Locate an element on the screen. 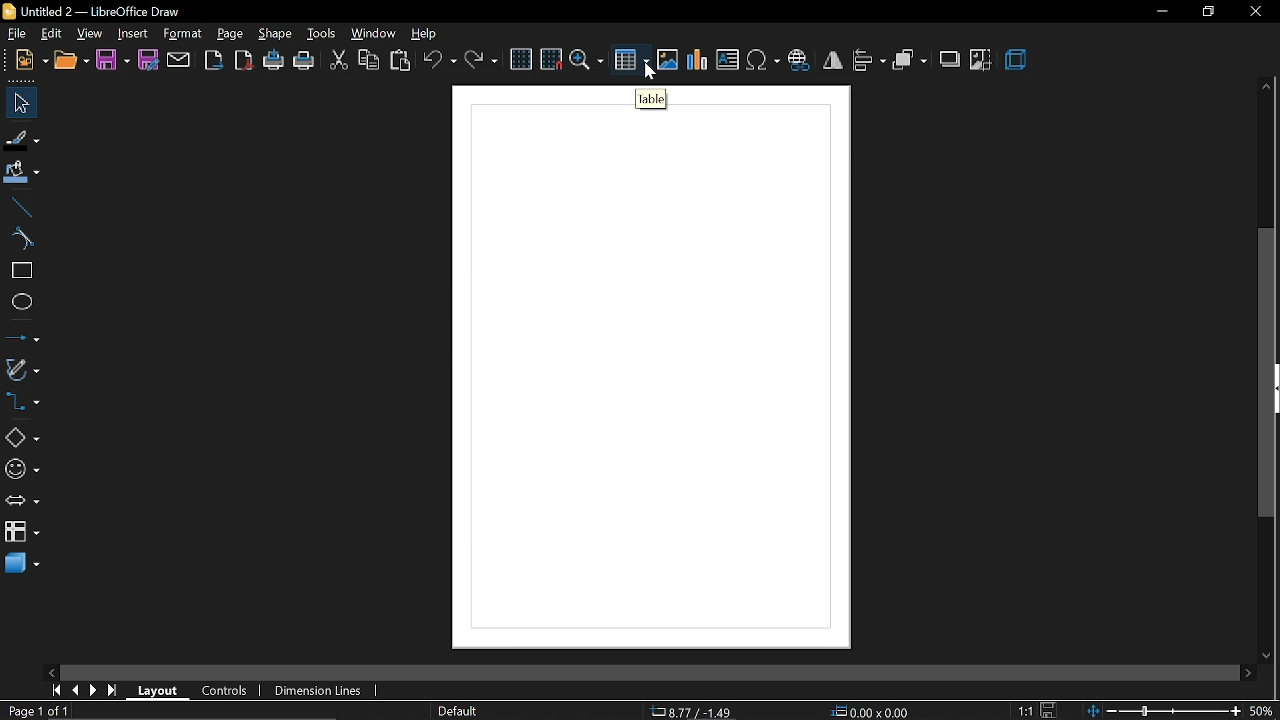  save is located at coordinates (113, 60).